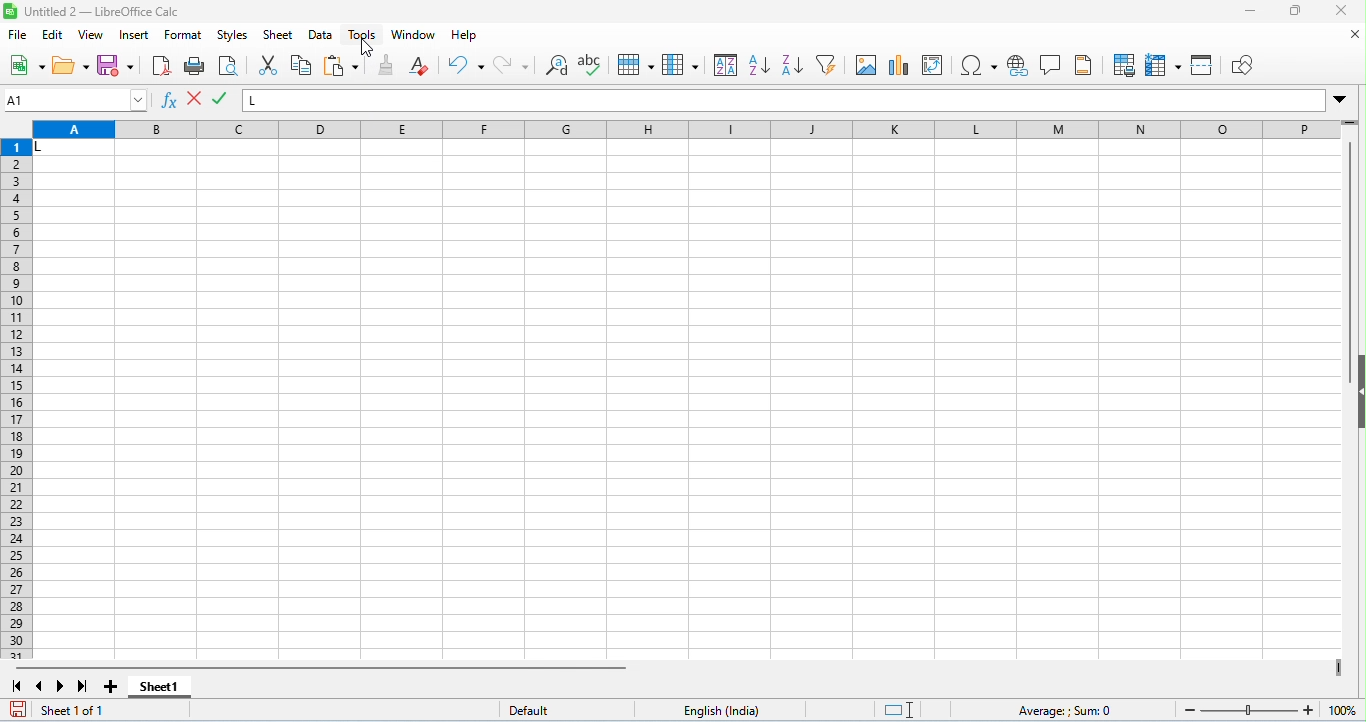 The image size is (1366, 722). What do you see at coordinates (158, 686) in the screenshot?
I see `sheet 1` at bounding box center [158, 686].